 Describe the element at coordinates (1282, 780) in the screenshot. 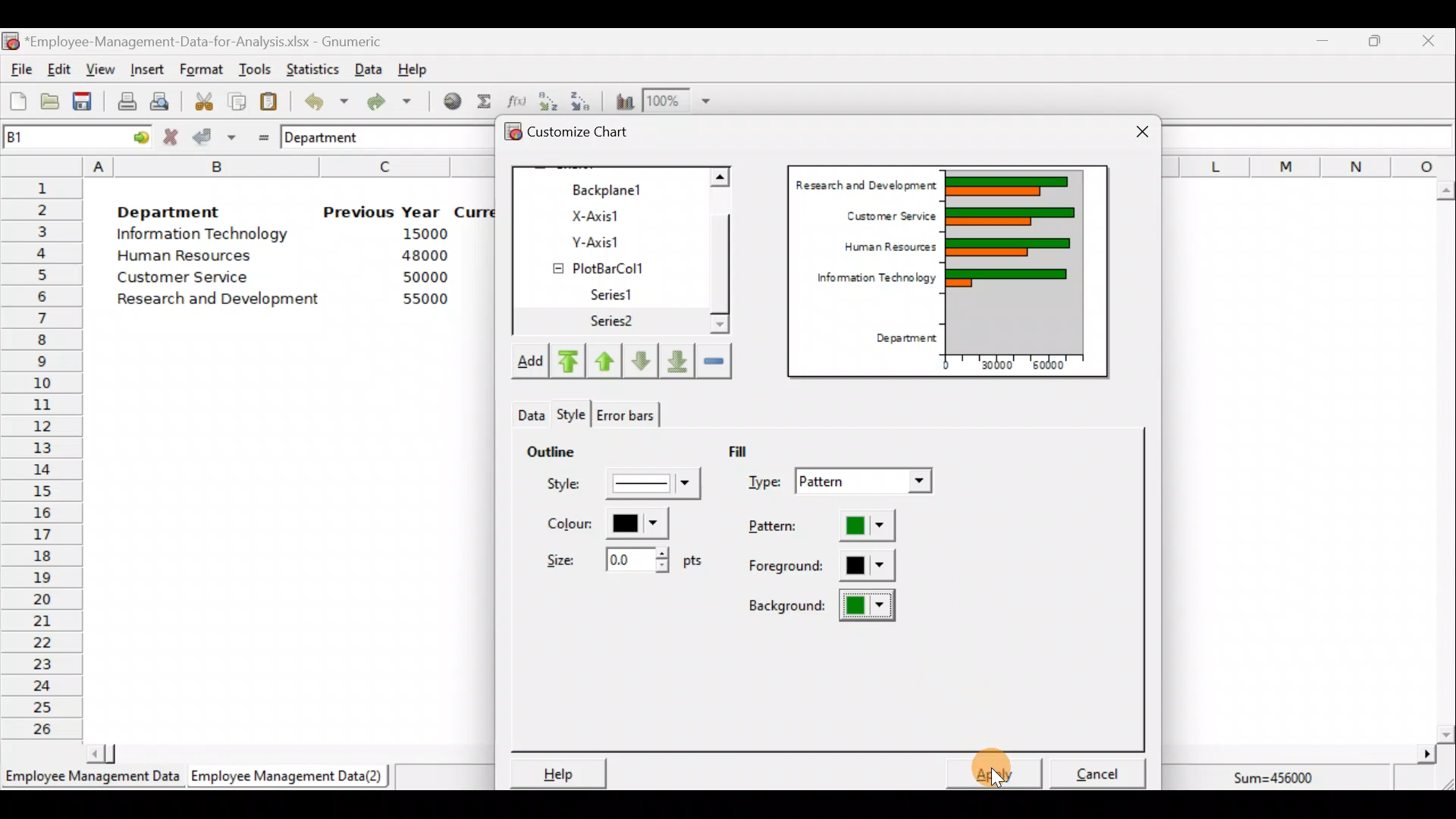

I see `Sum=456000` at that location.